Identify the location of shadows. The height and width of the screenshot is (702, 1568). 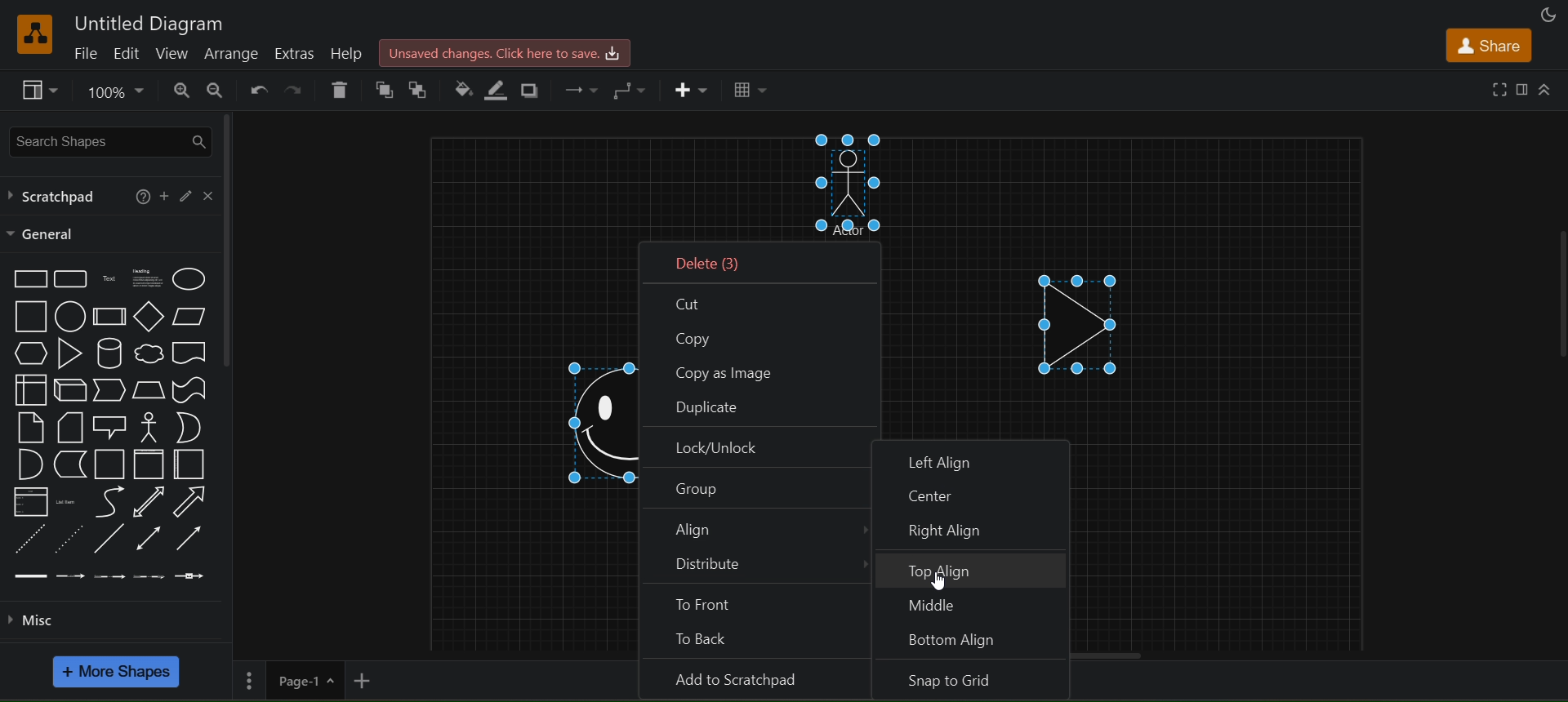
(531, 87).